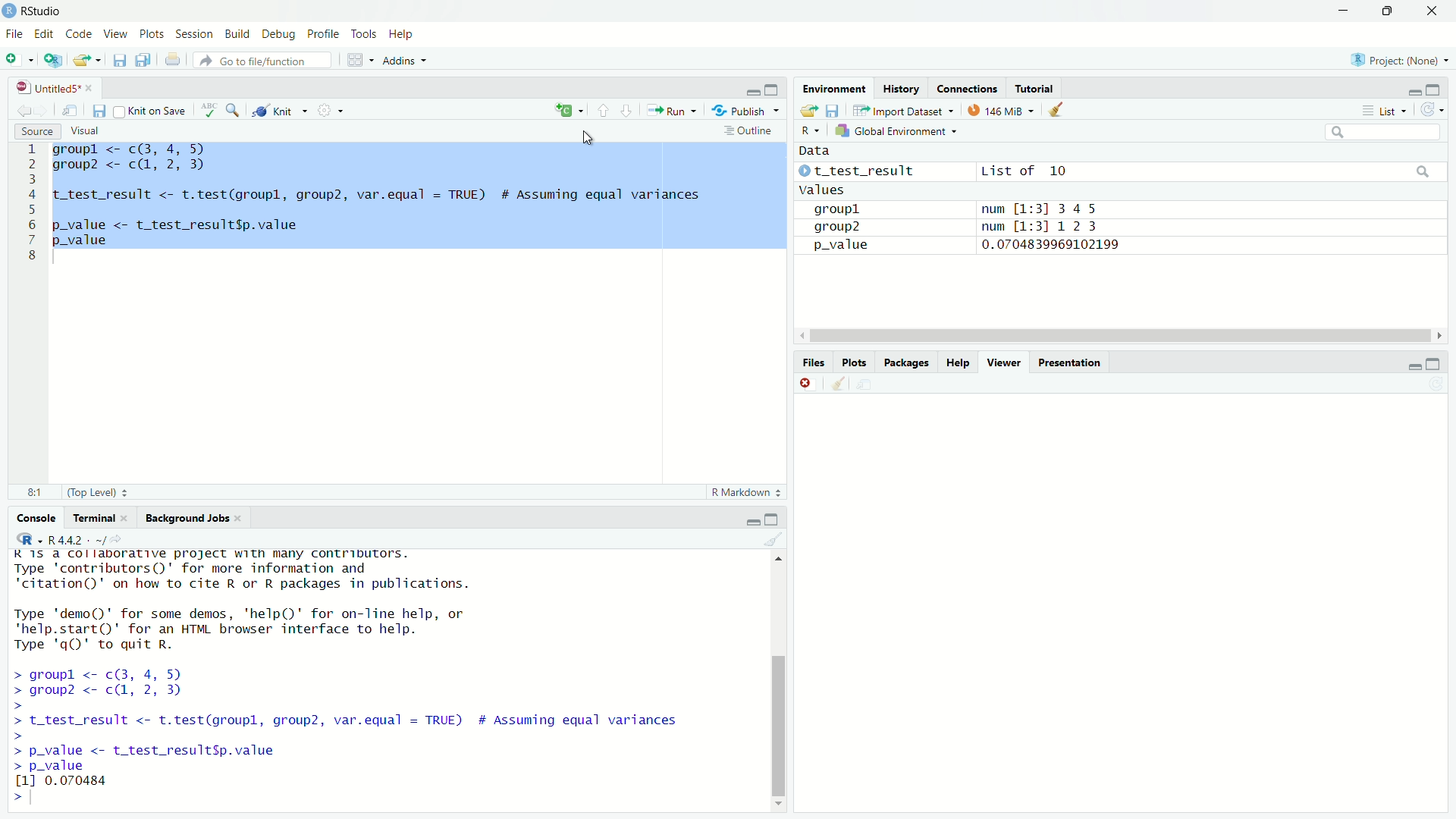 The height and width of the screenshot is (819, 1456). I want to click on save current document, so click(120, 60).